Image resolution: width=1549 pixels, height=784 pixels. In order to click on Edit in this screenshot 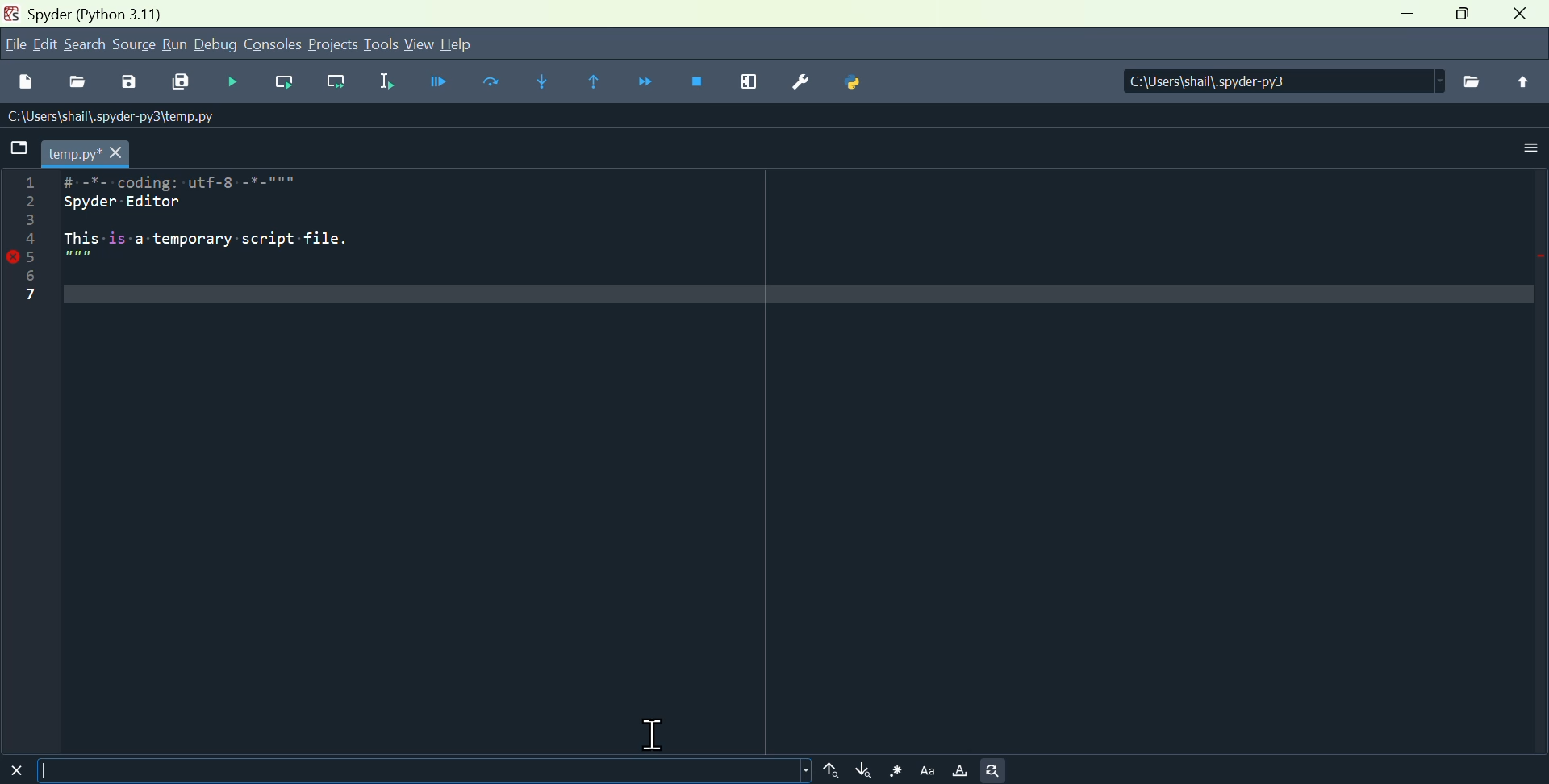, I will do `click(47, 45)`.